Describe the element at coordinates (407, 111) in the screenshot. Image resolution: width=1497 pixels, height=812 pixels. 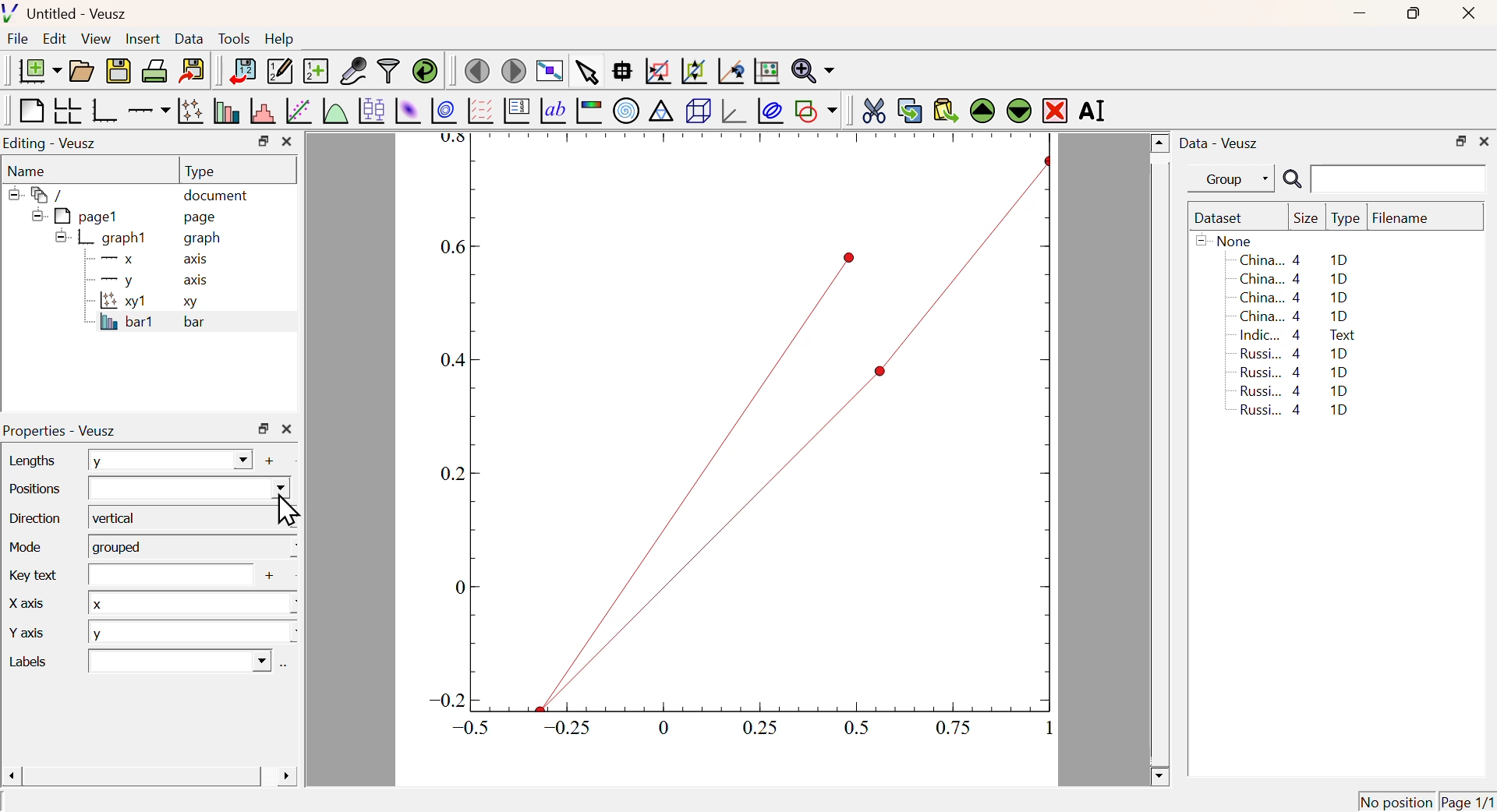
I see `Plot 2D set as image` at that location.